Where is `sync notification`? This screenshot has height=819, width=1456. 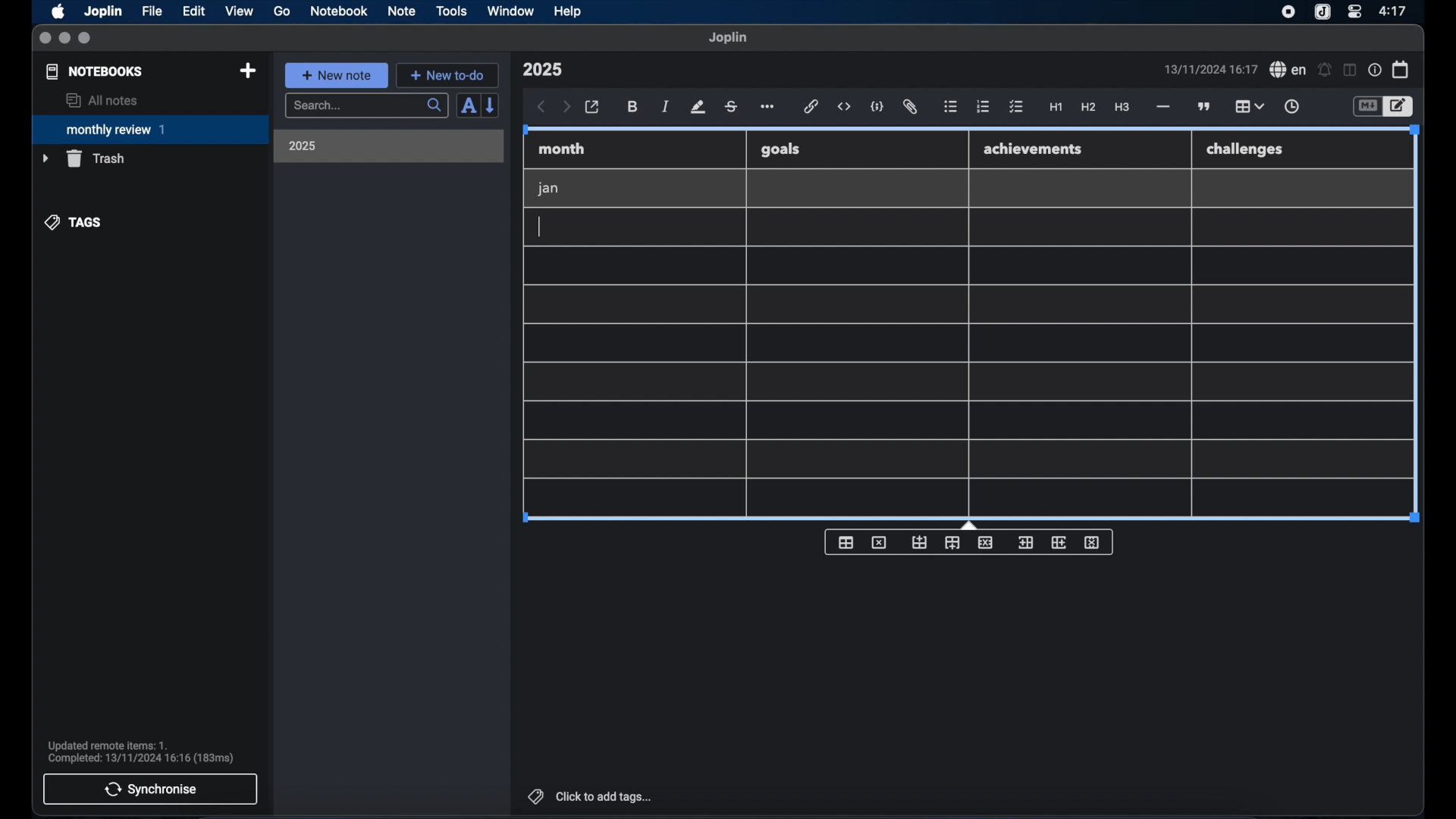
sync notification is located at coordinates (141, 752).